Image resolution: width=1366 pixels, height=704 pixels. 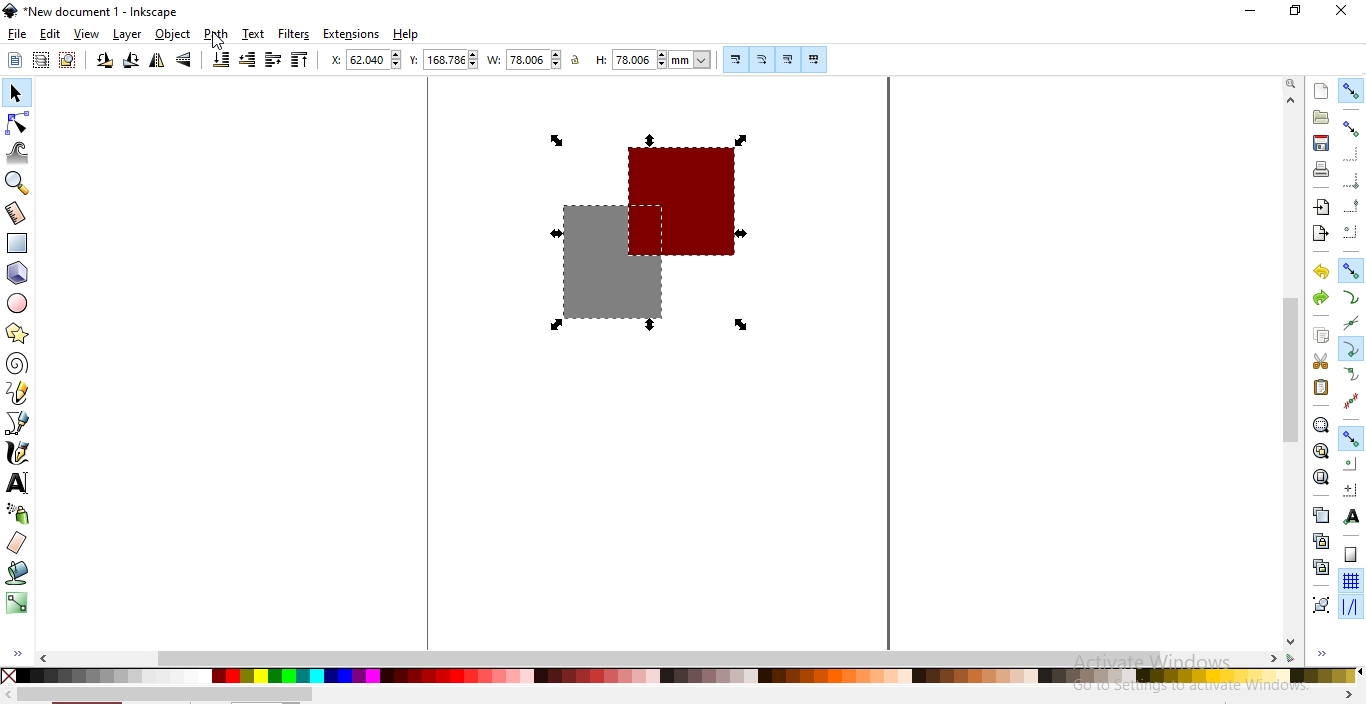 What do you see at coordinates (1351, 555) in the screenshot?
I see `snap to page border` at bounding box center [1351, 555].